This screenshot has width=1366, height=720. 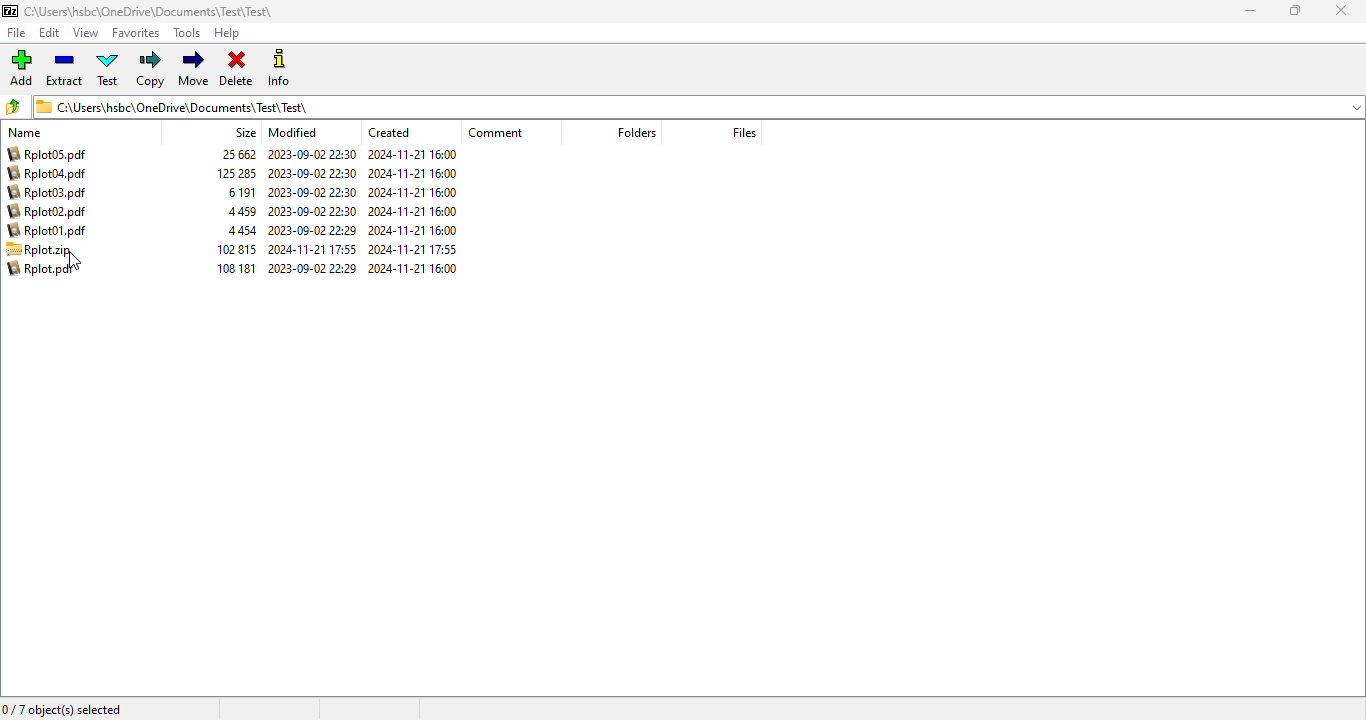 What do you see at coordinates (63, 709) in the screenshot?
I see `0/7 object(s) selected` at bounding box center [63, 709].